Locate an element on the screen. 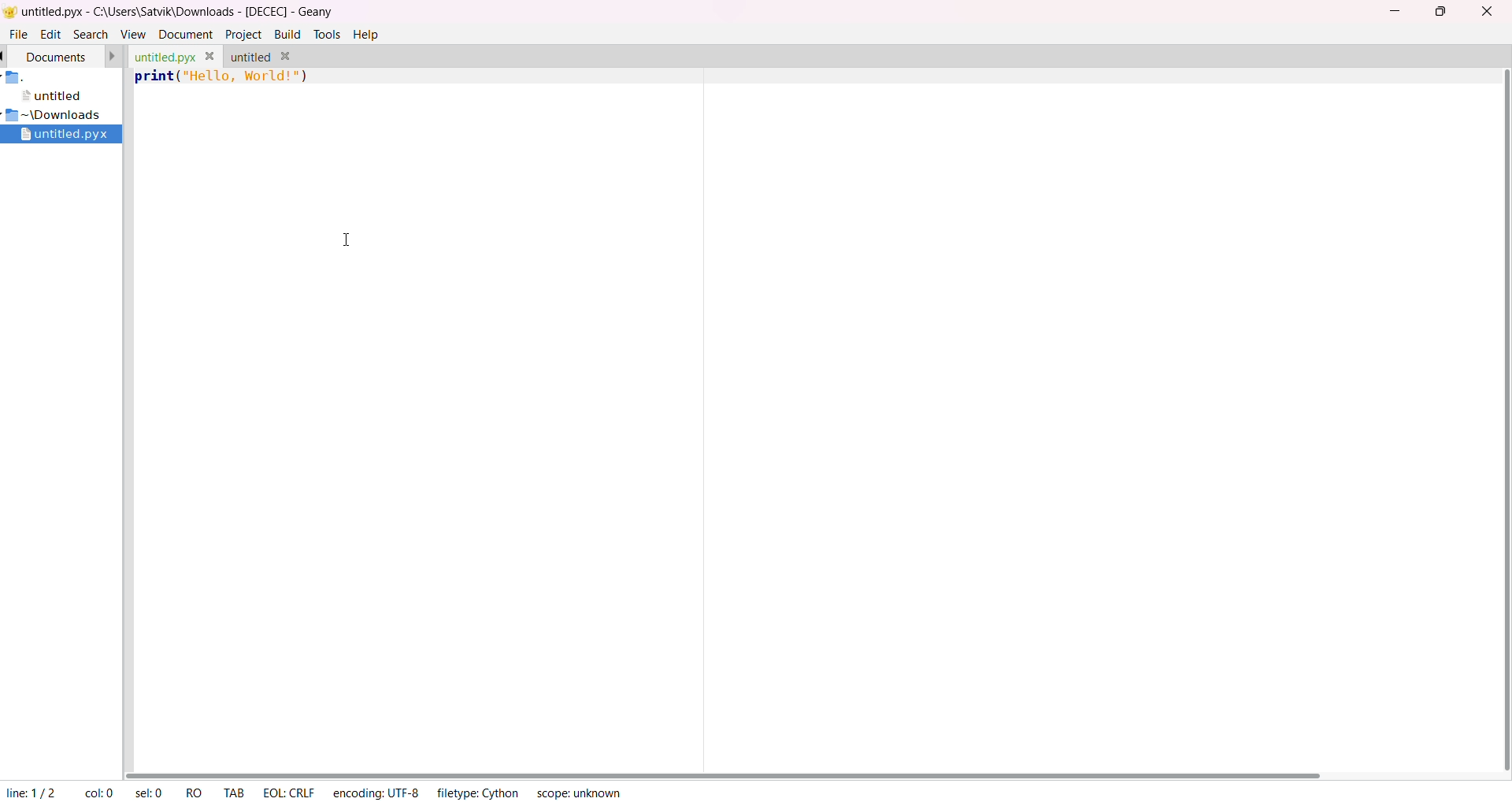  encoding: UTF-8 is located at coordinates (372, 791).